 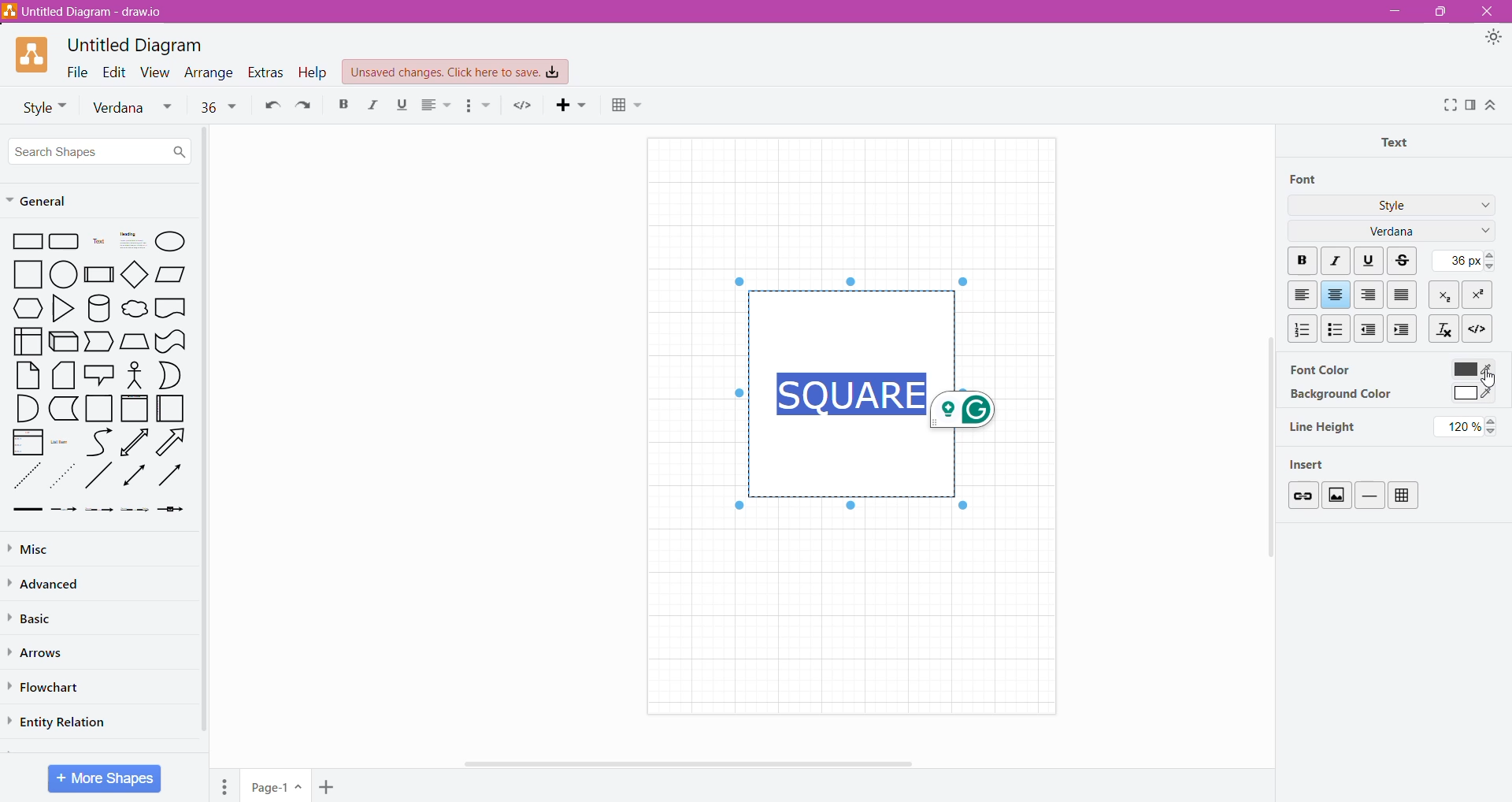 What do you see at coordinates (27, 308) in the screenshot?
I see `hexagon` at bounding box center [27, 308].